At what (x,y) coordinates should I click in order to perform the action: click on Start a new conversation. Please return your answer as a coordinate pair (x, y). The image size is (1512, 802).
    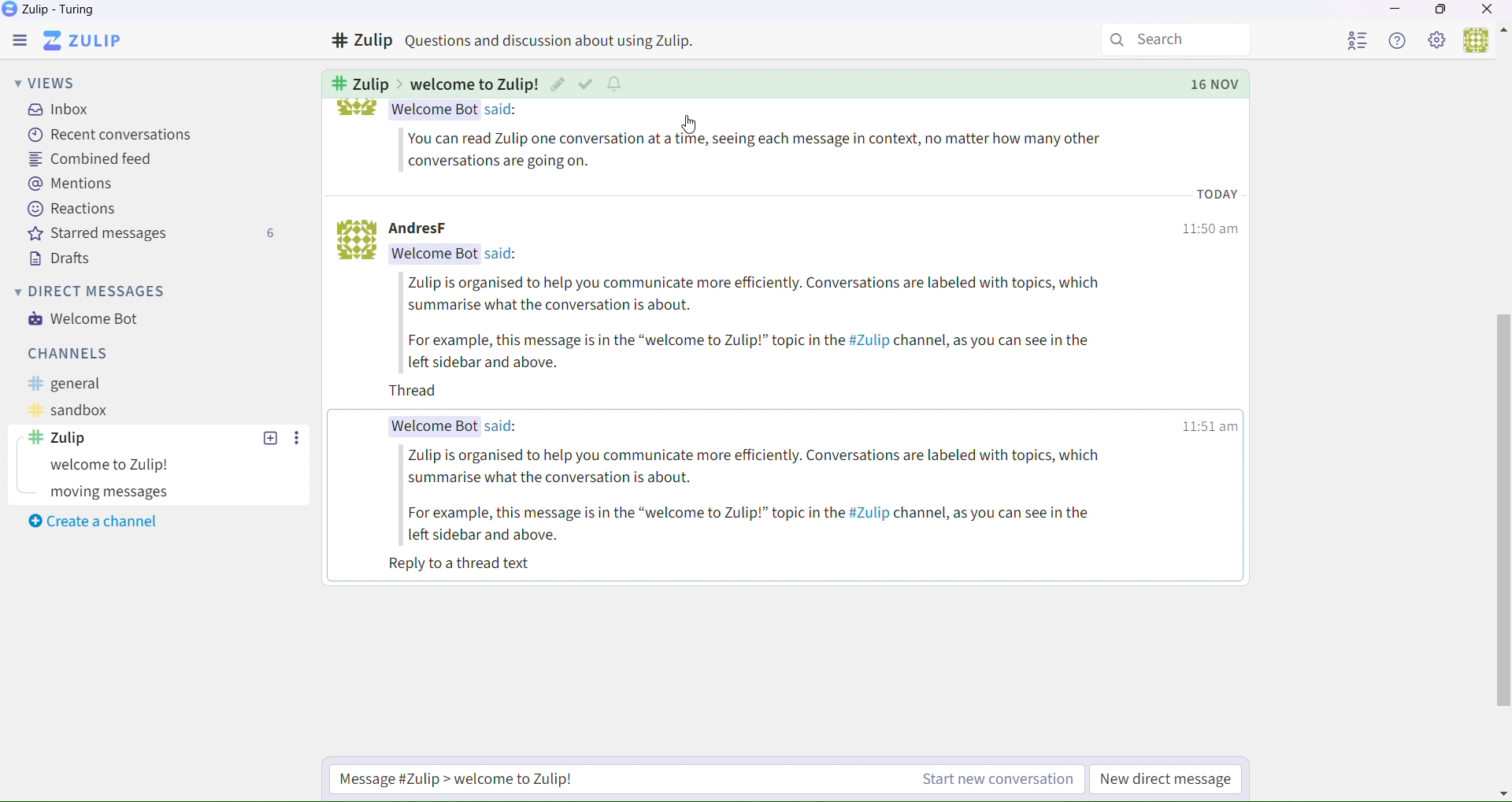
    Looking at the image, I should click on (991, 782).